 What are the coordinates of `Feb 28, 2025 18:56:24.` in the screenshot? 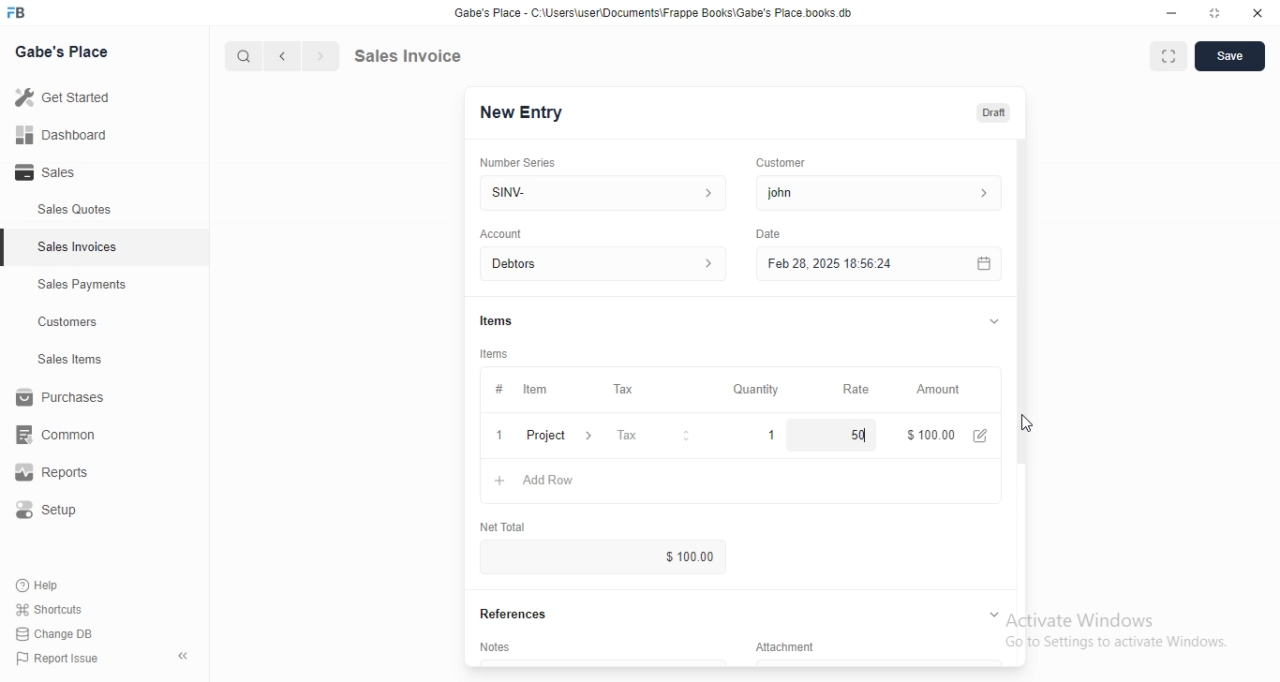 It's located at (875, 262).